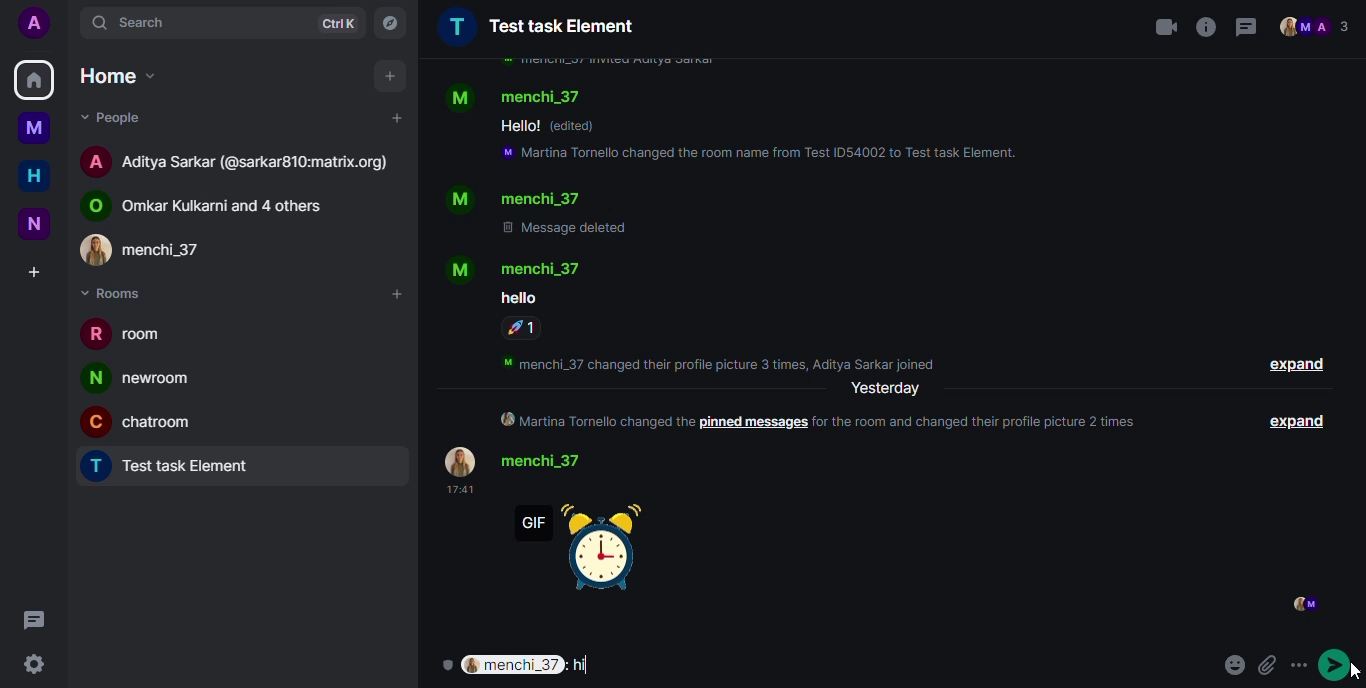 This screenshot has height=688, width=1366. Describe the element at coordinates (216, 204) in the screenshot. I see `contact` at that location.